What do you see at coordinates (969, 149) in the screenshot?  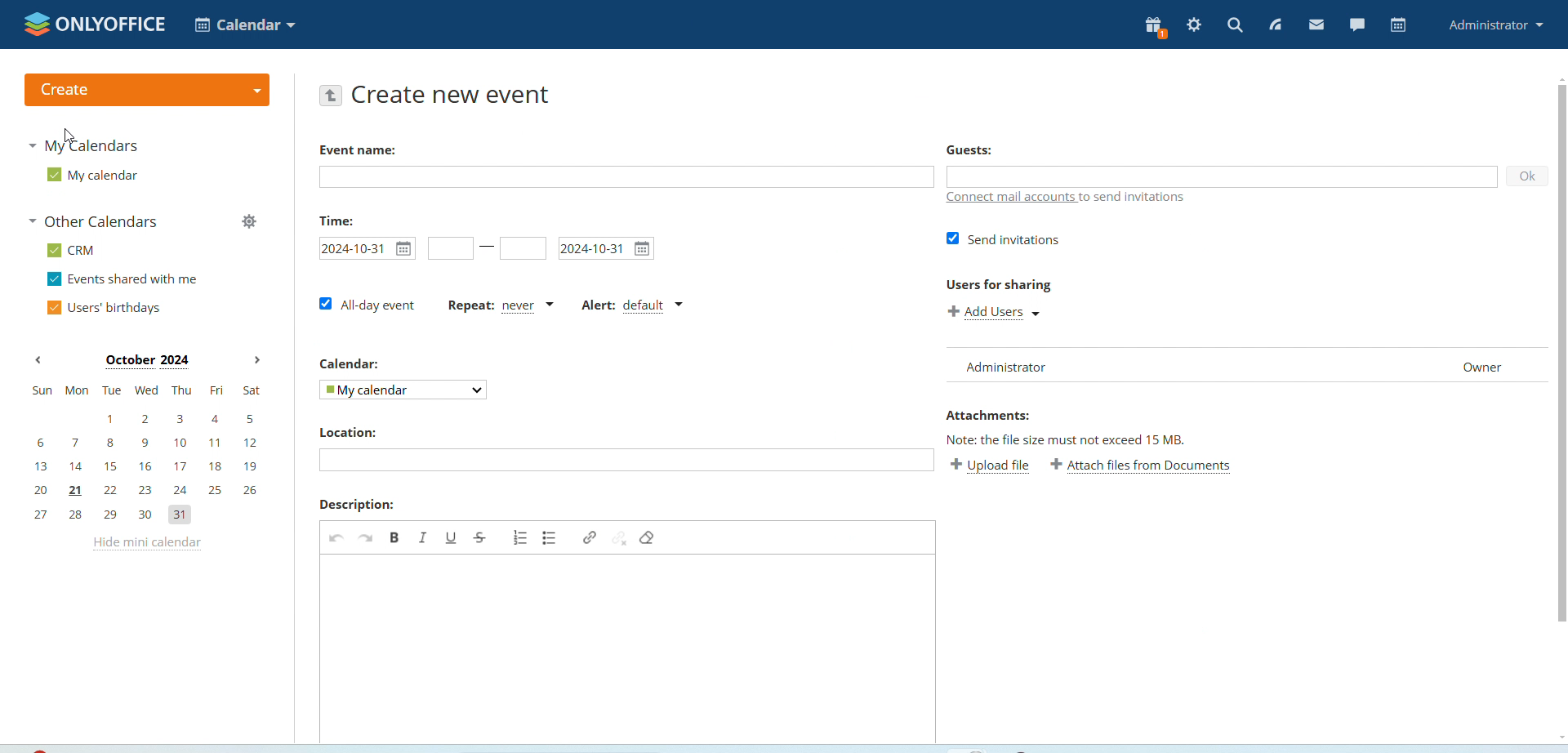 I see `guests` at bounding box center [969, 149].